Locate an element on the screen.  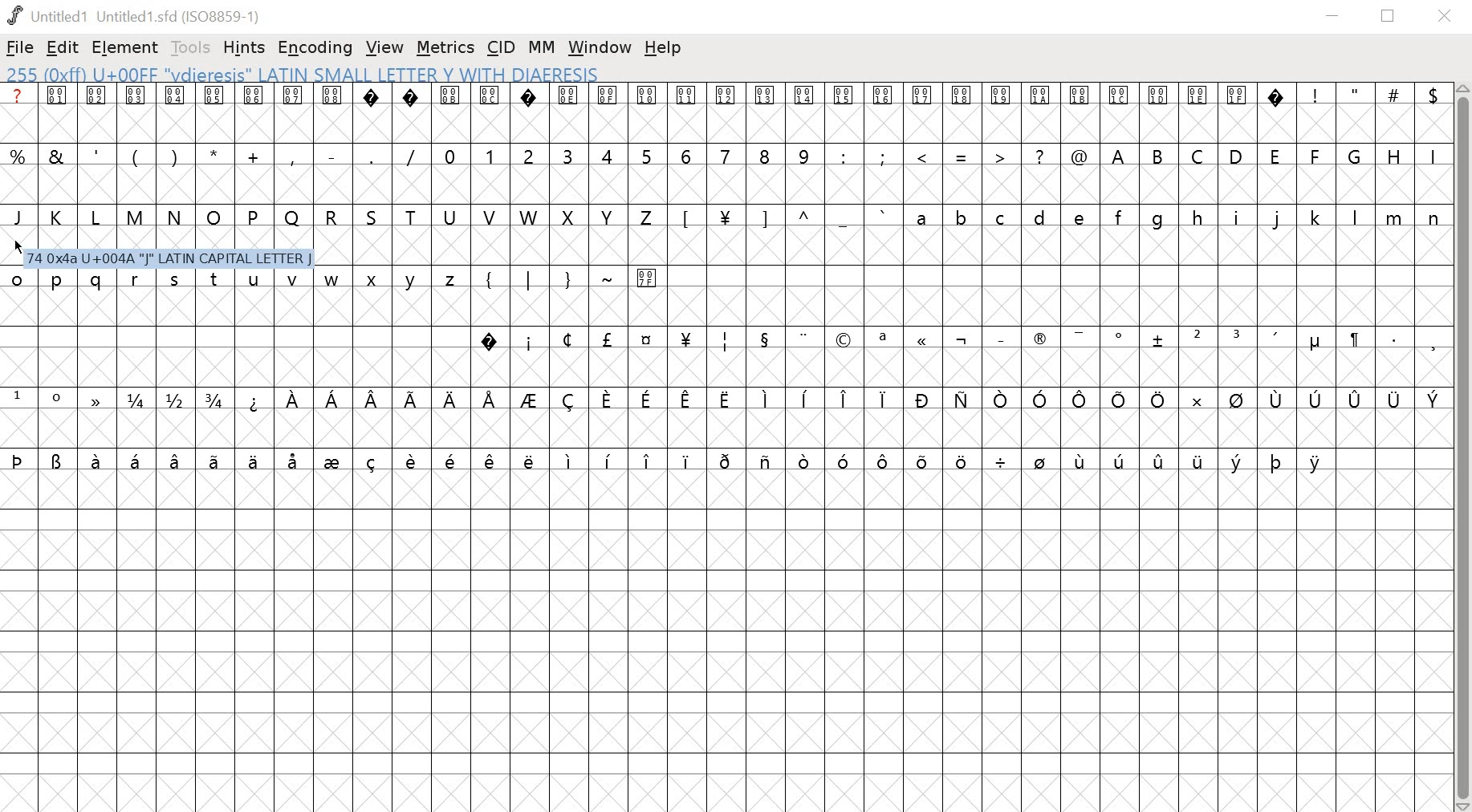
minimize is located at coordinates (1332, 17).